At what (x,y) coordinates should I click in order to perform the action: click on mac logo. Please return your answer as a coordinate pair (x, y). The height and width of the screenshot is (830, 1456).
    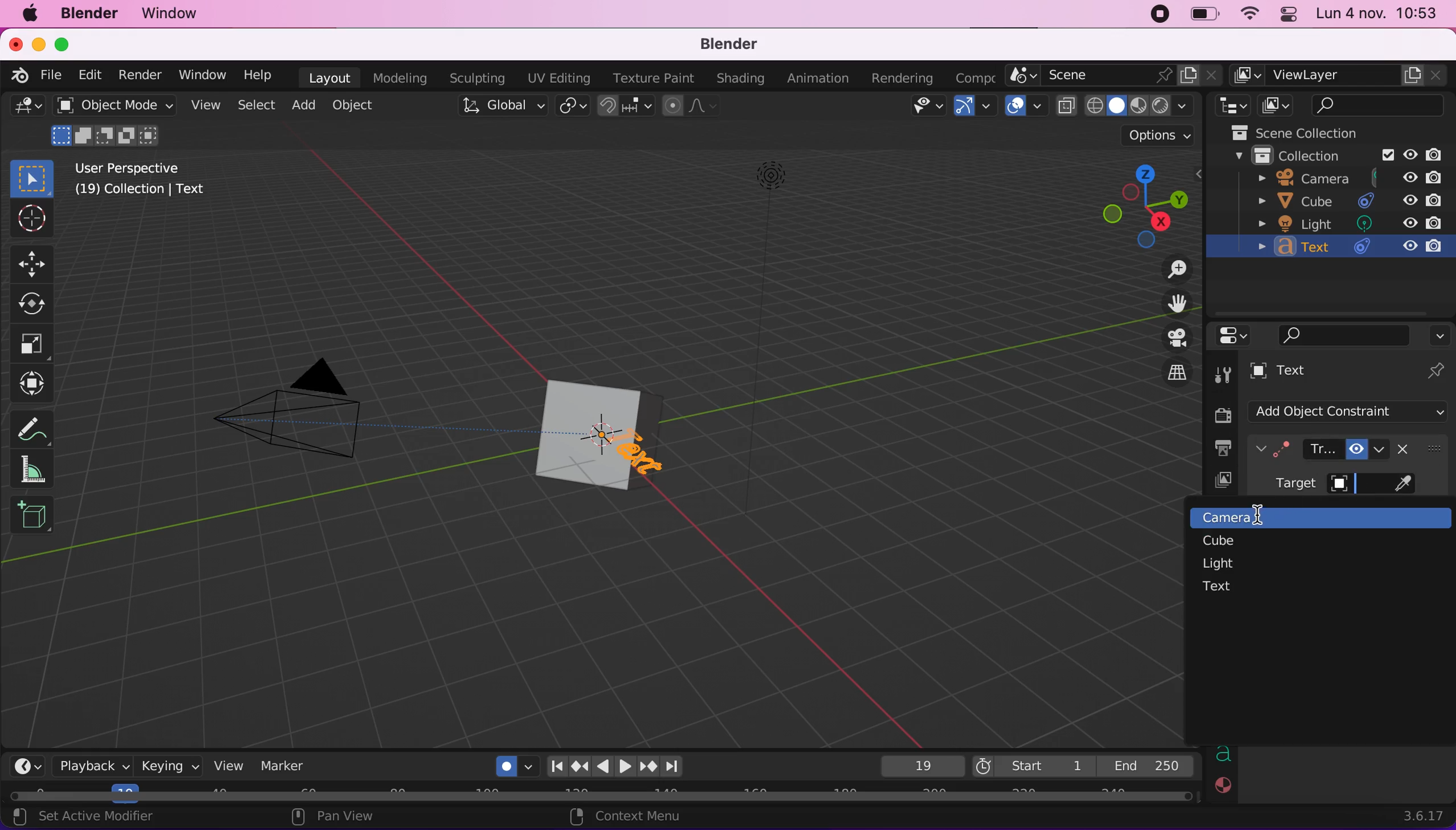
    Looking at the image, I should click on (34, 16).